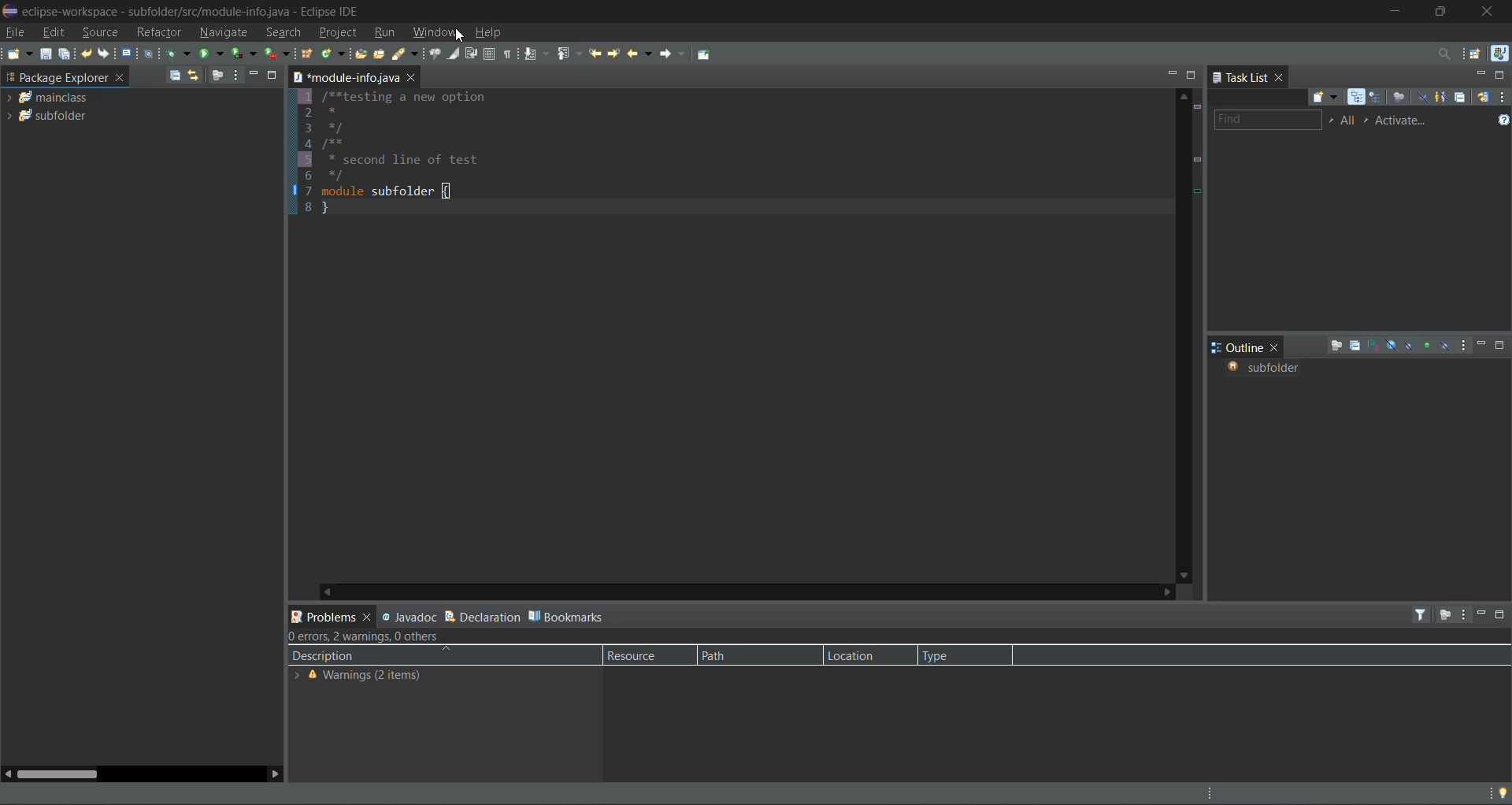  I want to click on select active task, so click(1368, 119).